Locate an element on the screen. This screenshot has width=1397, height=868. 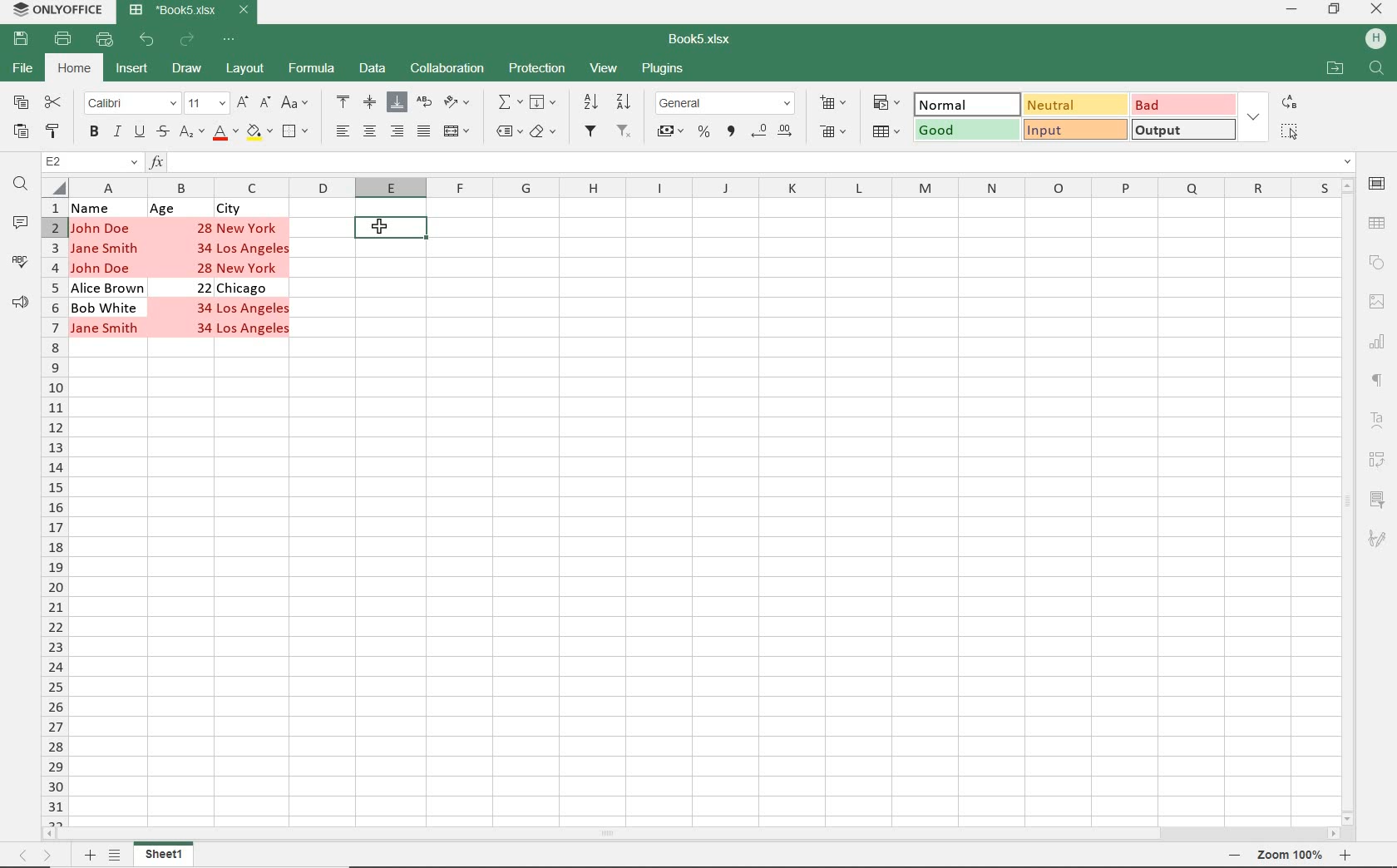
ALIGN CENTER is located at coordinates (369, 132).